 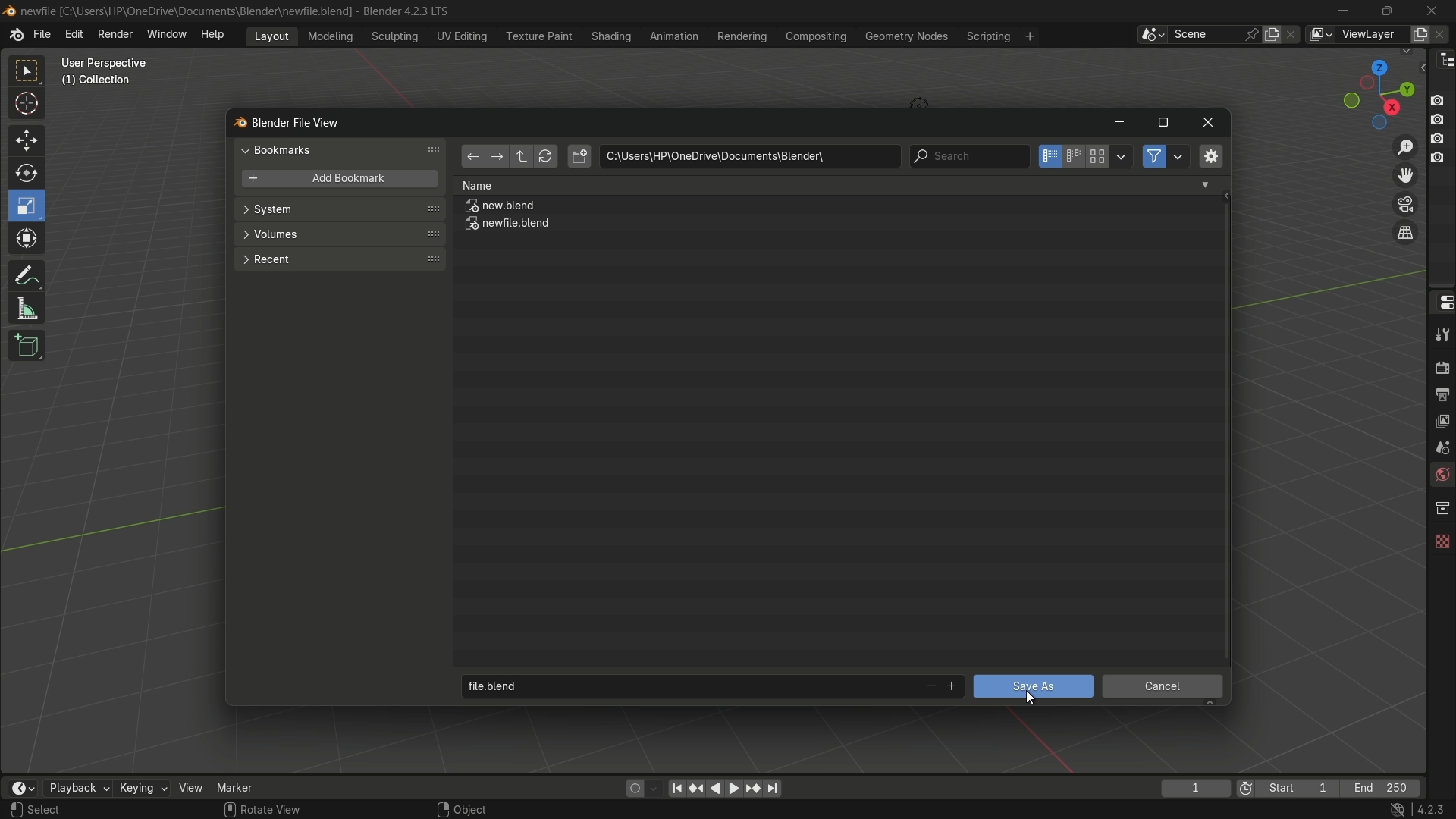 What do you see at coordinates (1034, 698) in the screenshot?
I see `text Cursor` at bounding box center [1034, 698].